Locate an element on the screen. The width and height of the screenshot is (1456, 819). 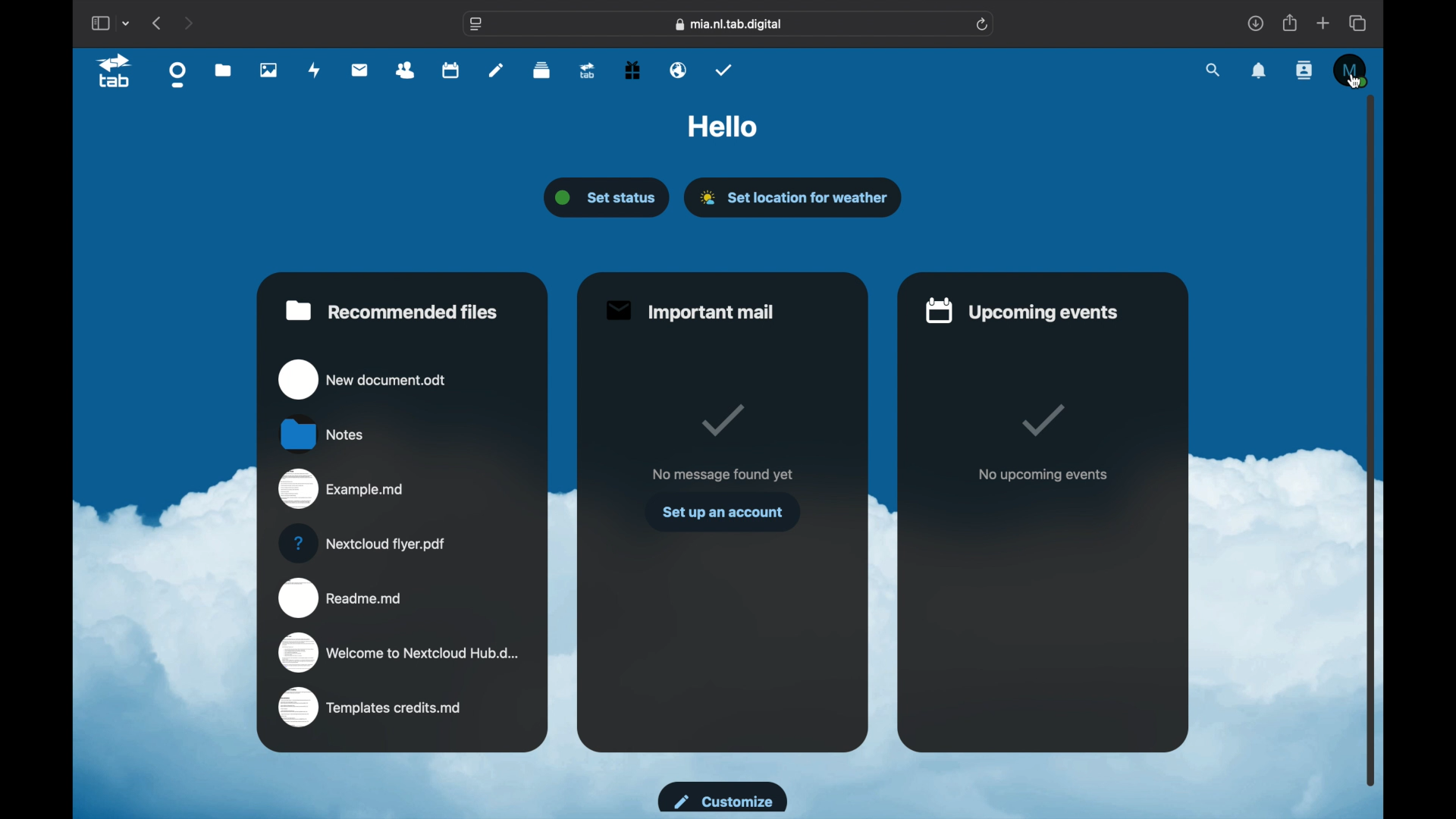
activity is located at coordinates (317, 71).